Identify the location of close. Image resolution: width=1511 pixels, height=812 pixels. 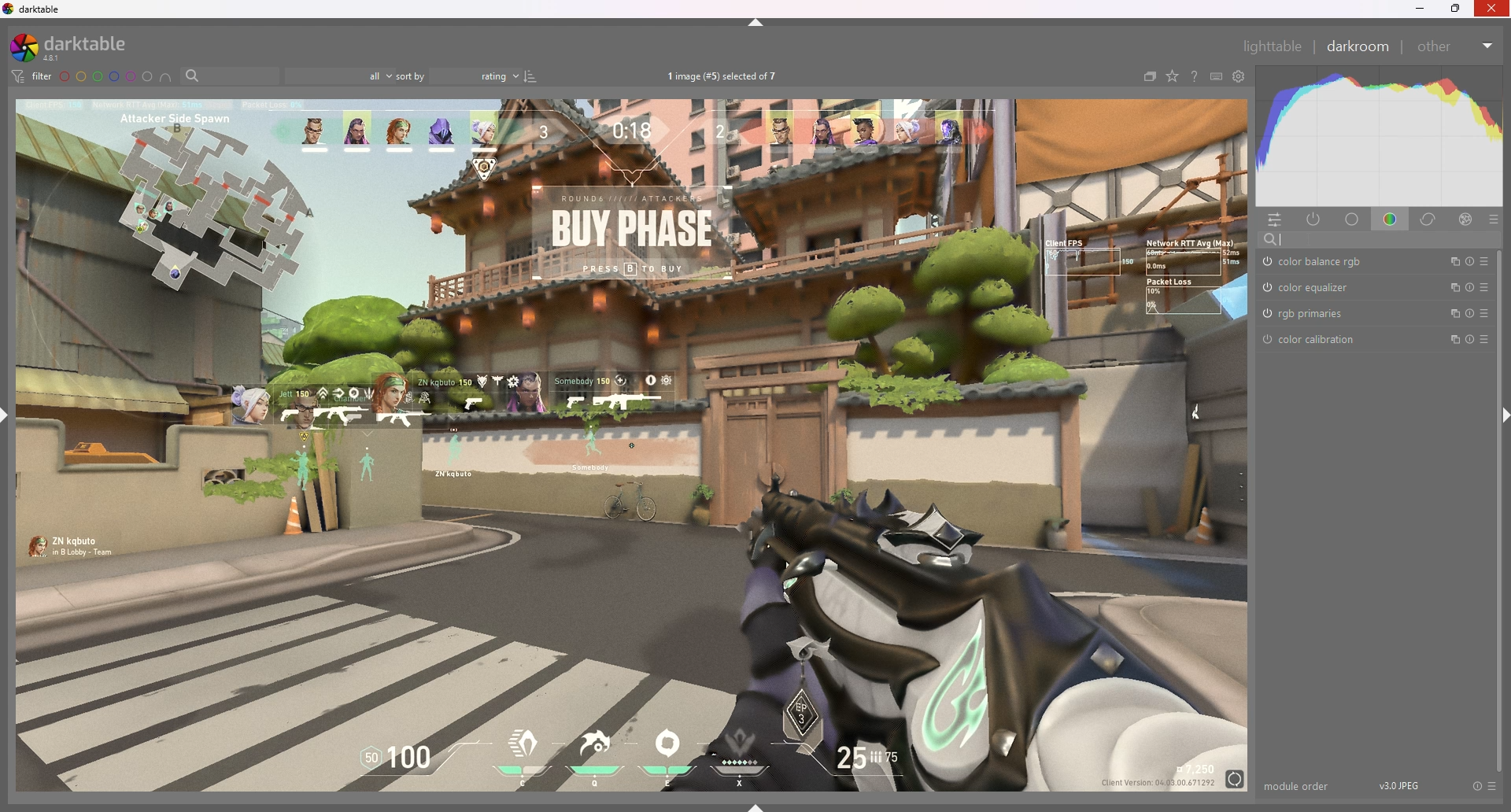
(1491, 9).